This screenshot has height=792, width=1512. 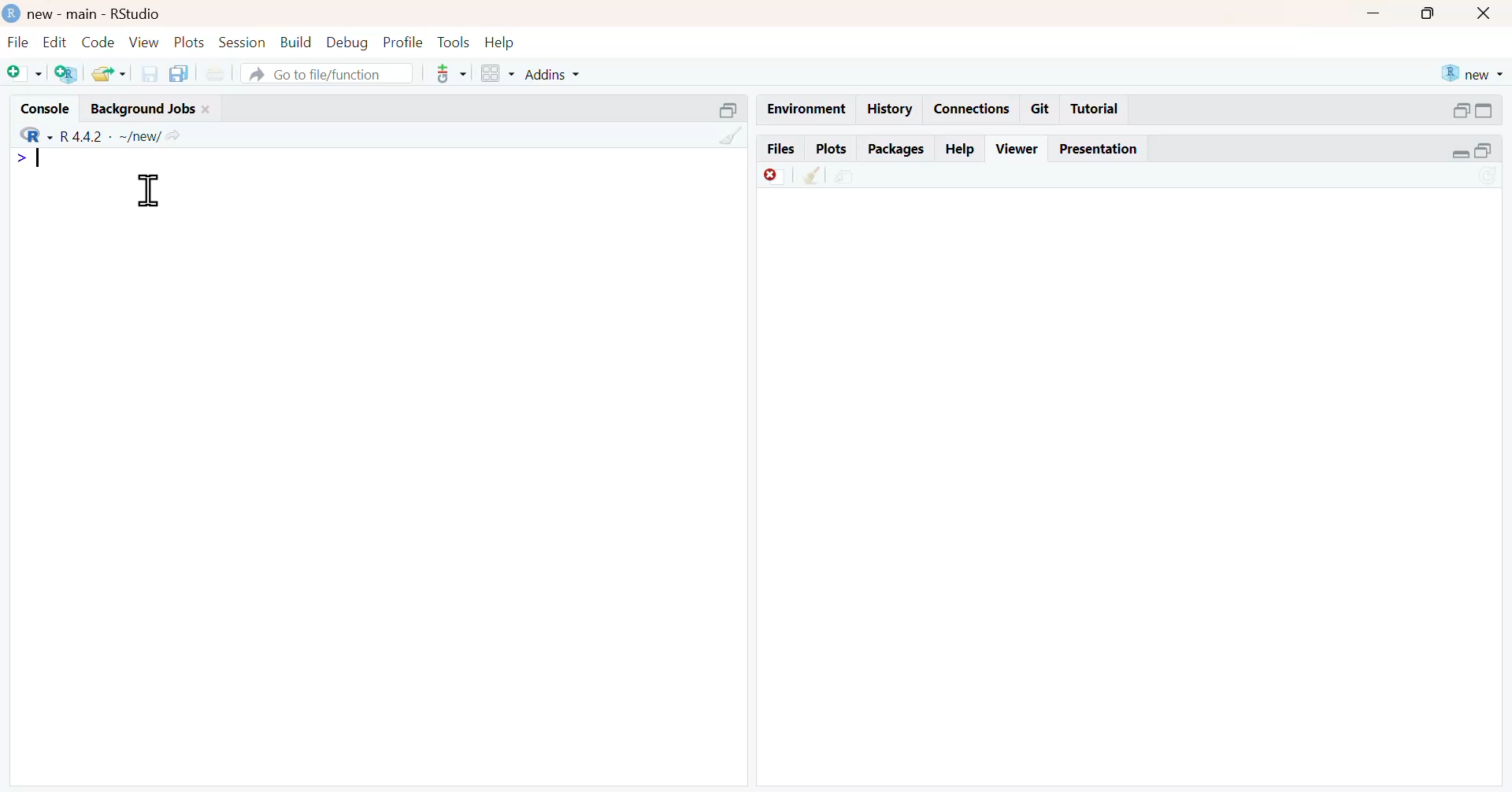 I want to click on cursor, so click(x=149, y=191).